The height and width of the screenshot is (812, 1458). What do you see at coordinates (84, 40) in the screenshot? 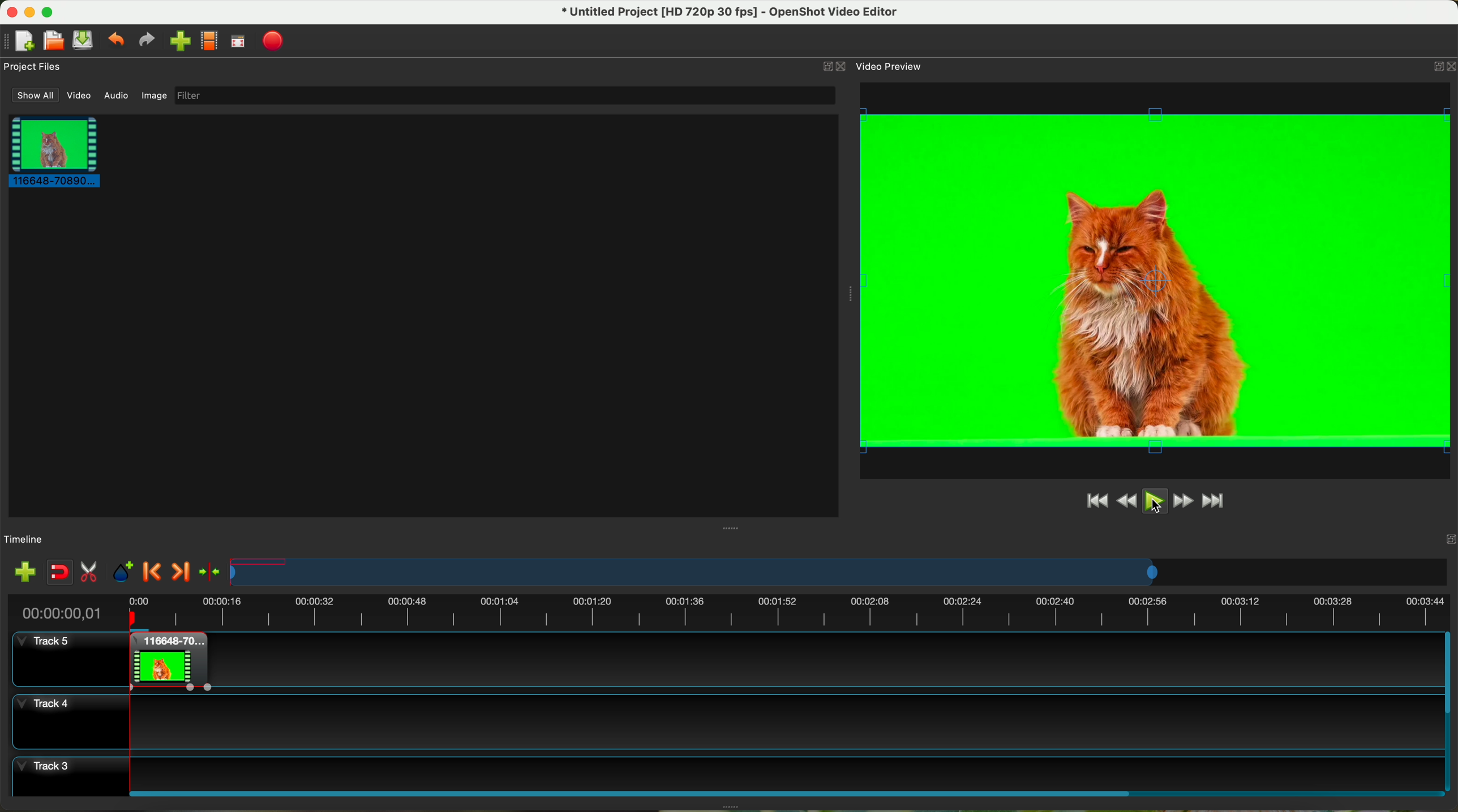
I see `save project` at bounding box center [84, 40].